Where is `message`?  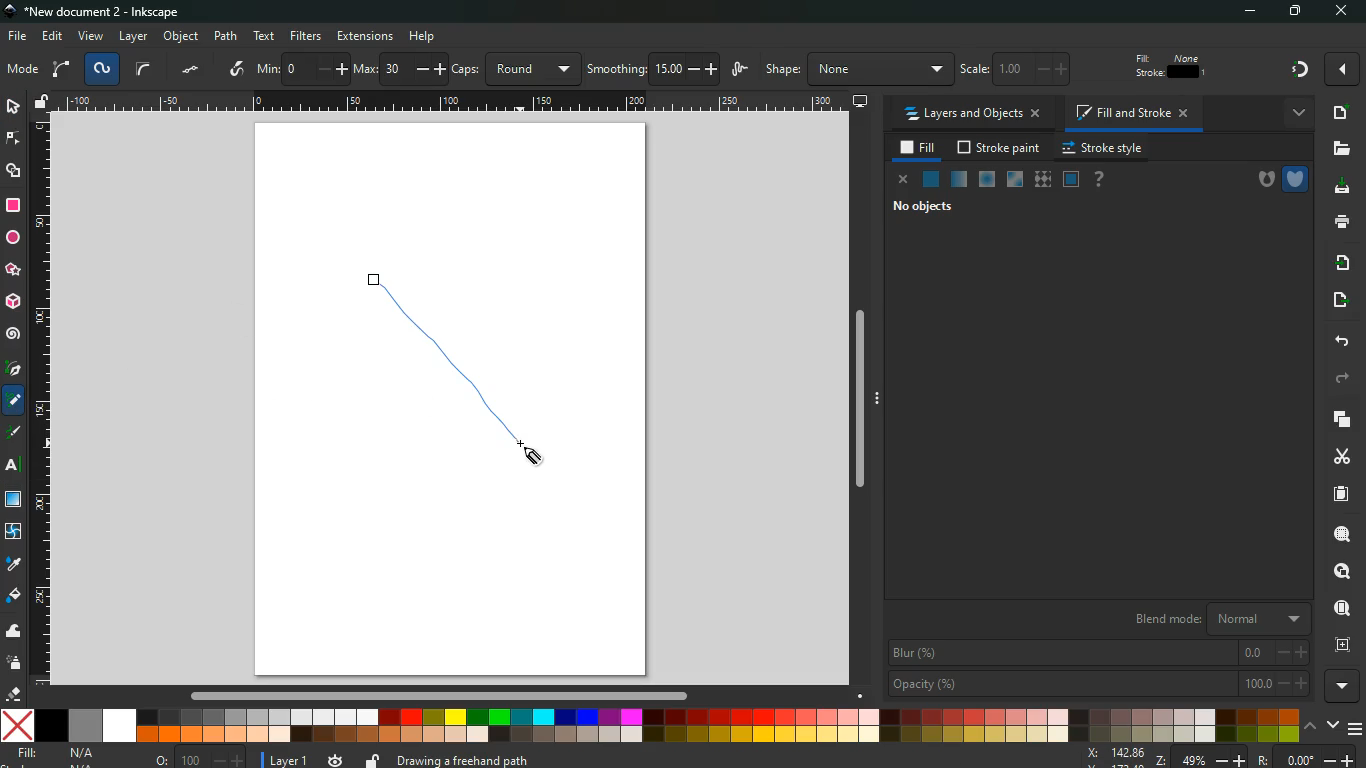 message is located at coordinates (680, 759).